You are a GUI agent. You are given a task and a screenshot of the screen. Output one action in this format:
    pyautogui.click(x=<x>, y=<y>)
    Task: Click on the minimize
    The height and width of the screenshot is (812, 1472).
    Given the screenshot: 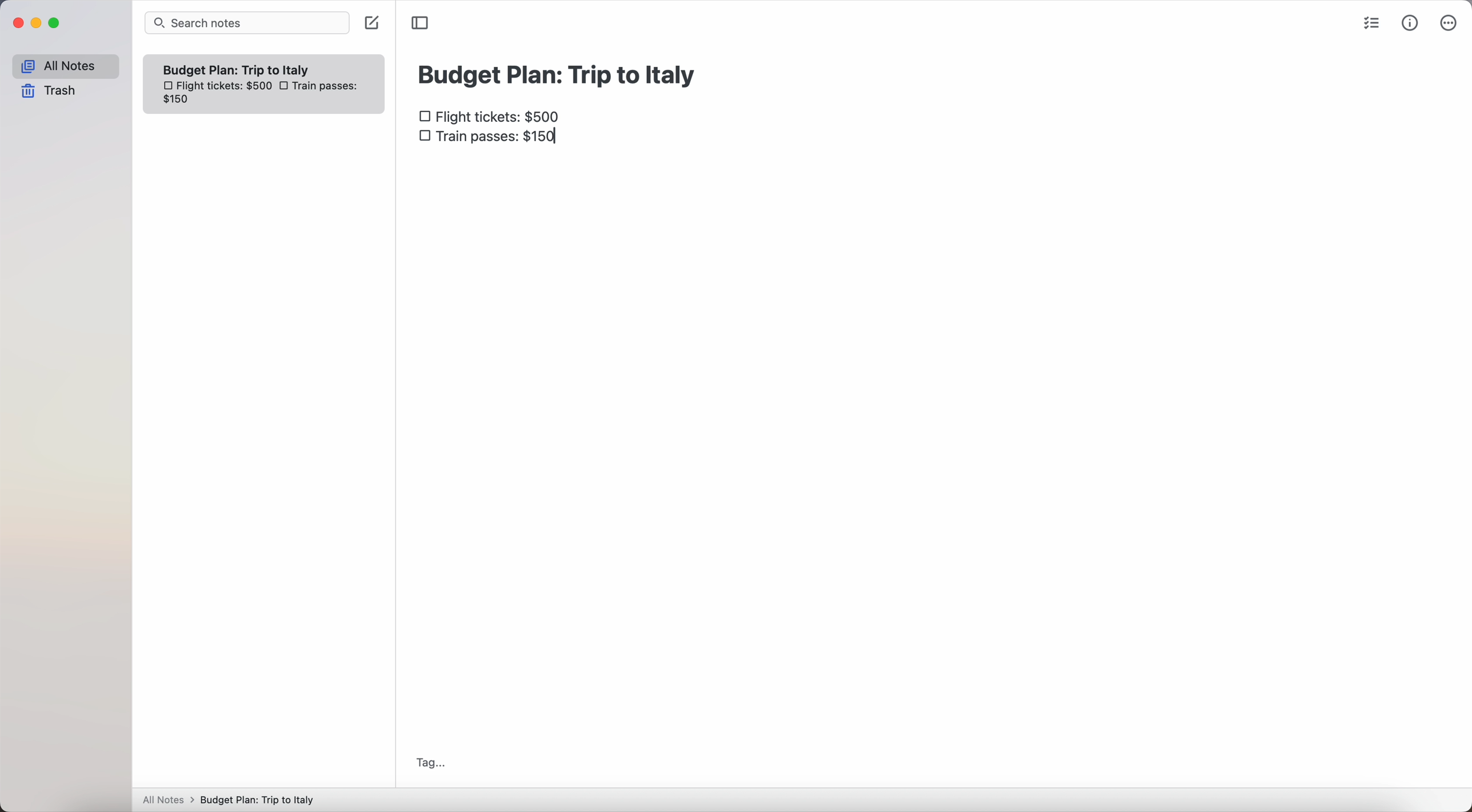 What is the action you would take?
    pyautogui.click(x=39, y=23)
    